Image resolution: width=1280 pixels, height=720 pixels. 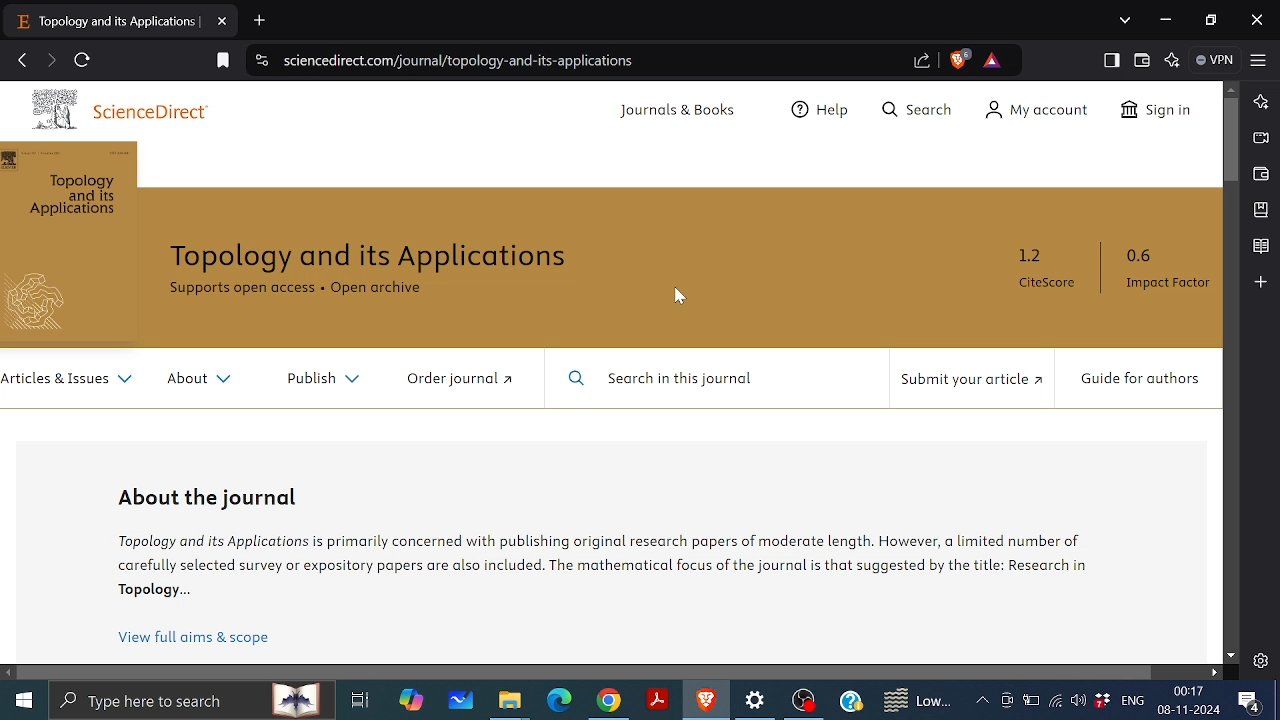 What do you see at coordinates (996, 61) in the screenshot?
I see `brave rewards` at bounding box center [996, 61].